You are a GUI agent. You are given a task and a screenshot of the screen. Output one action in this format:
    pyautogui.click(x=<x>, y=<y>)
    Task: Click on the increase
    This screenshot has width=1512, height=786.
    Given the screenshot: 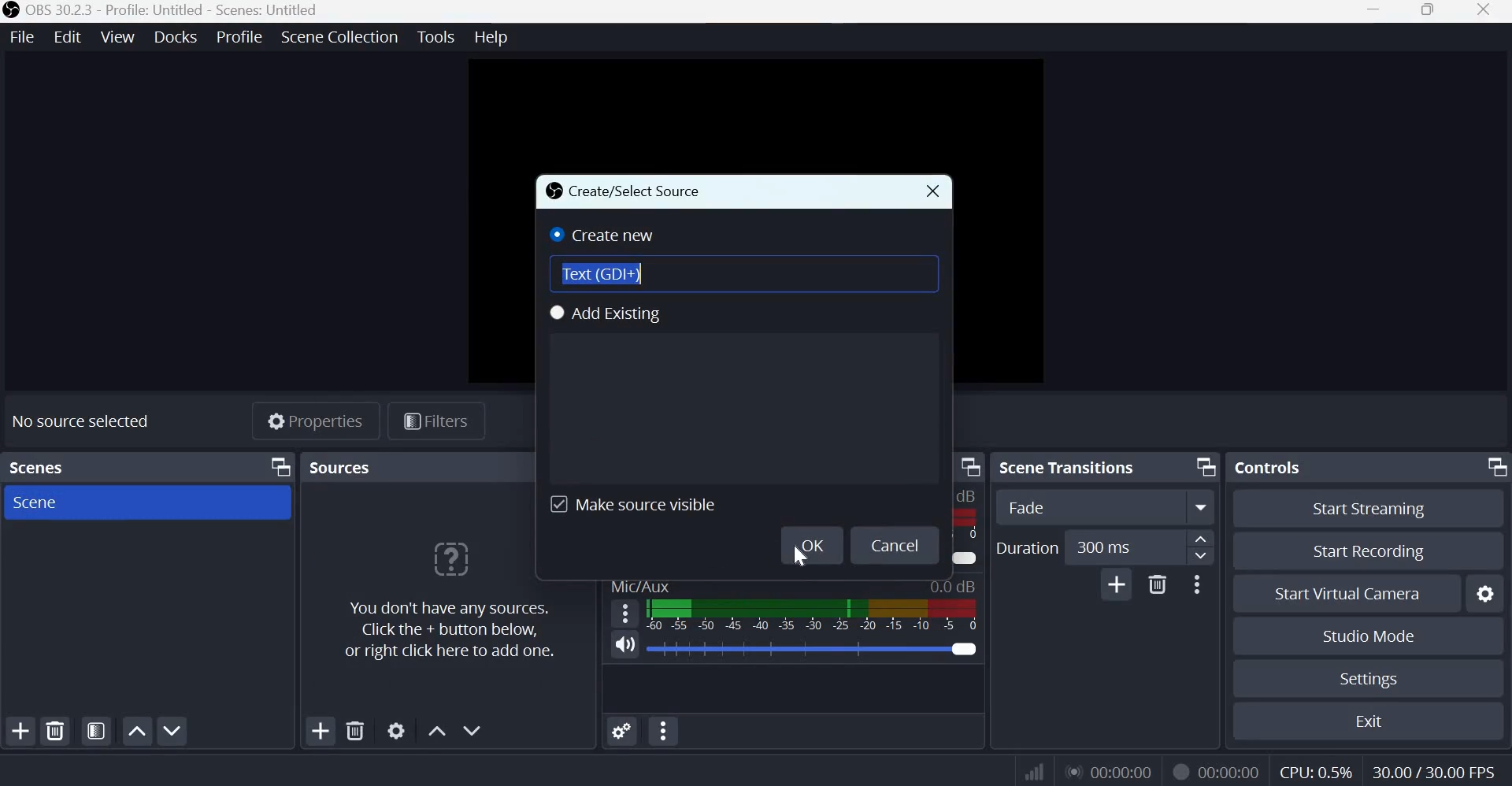 What is the action you would take?
    pyautogui.click(x=1202, y=539)
    